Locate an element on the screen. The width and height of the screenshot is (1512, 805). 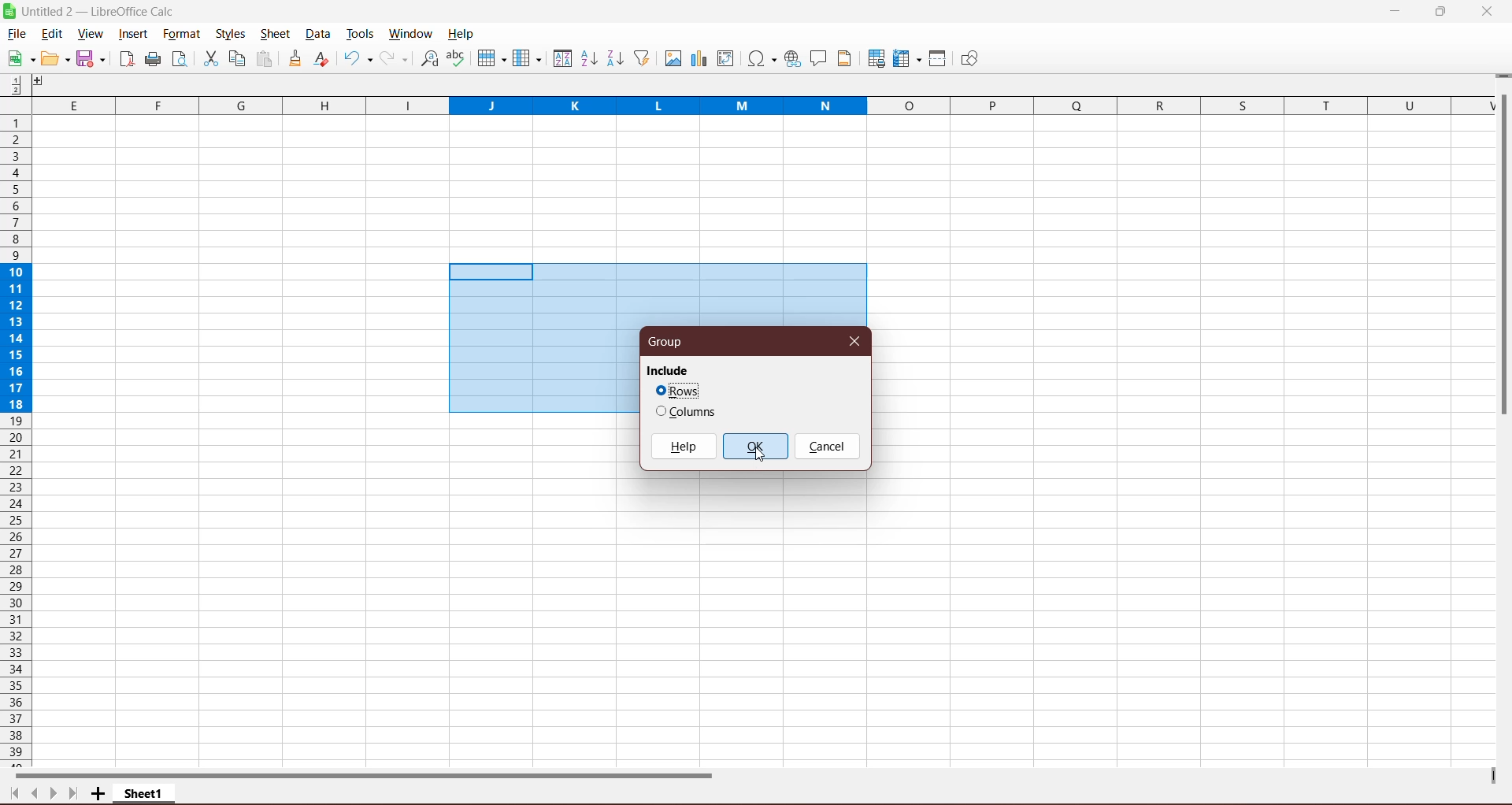
 is located at coordinates (45, 83).